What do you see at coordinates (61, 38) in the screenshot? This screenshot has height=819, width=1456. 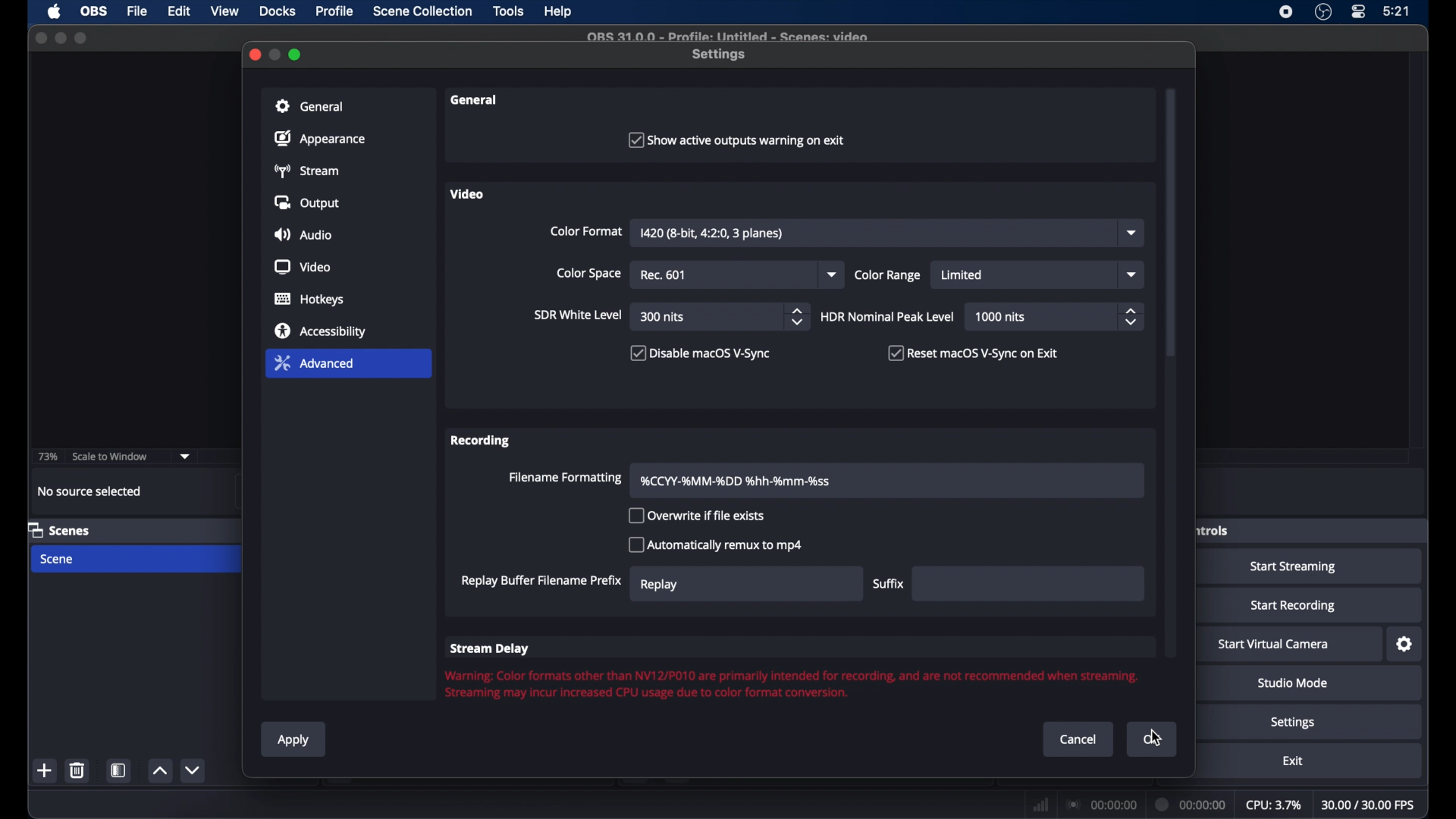 I see `minimize` at bounding box center [61, 38].